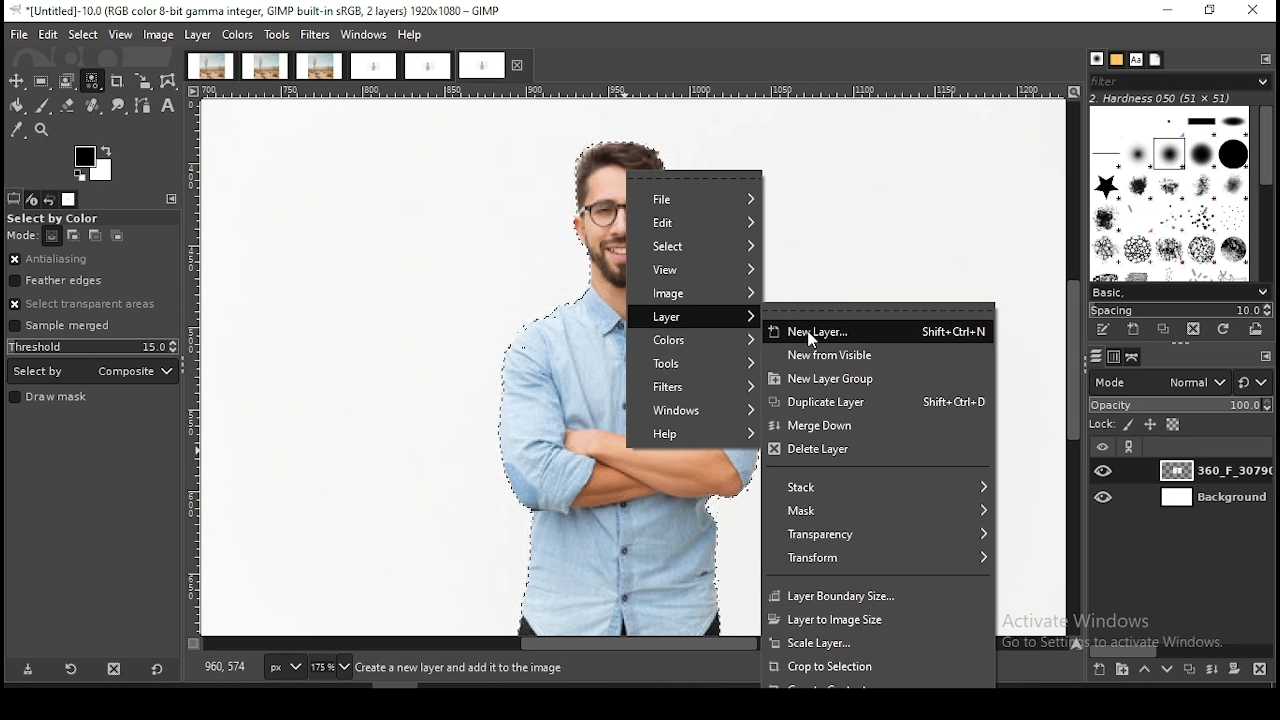  What do you see at coordinates (879, 593) in the screenshot?
I see `layer boundary` at bounding box center [879, 593].